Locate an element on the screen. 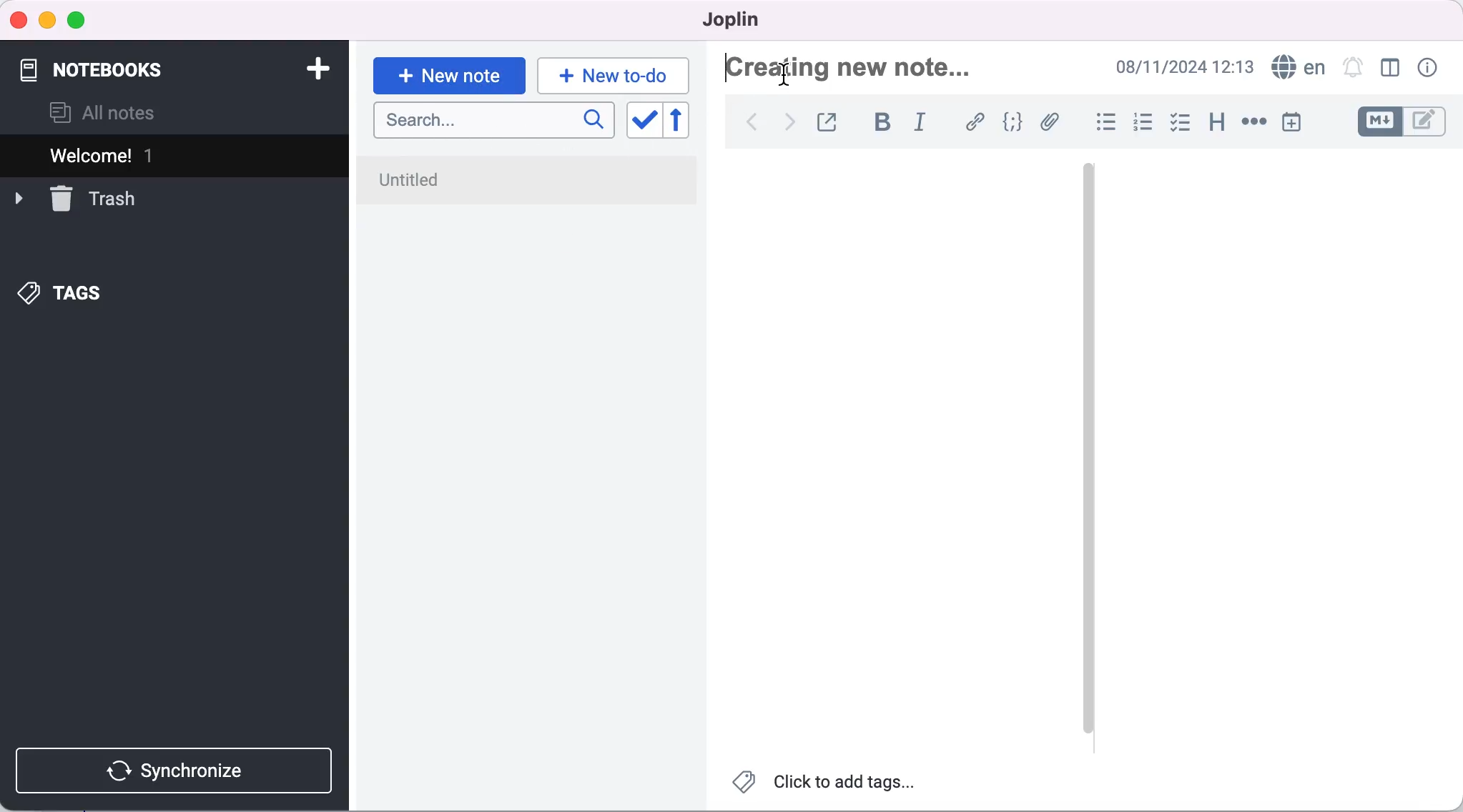  notebooks is located at coordinates (114, 63).